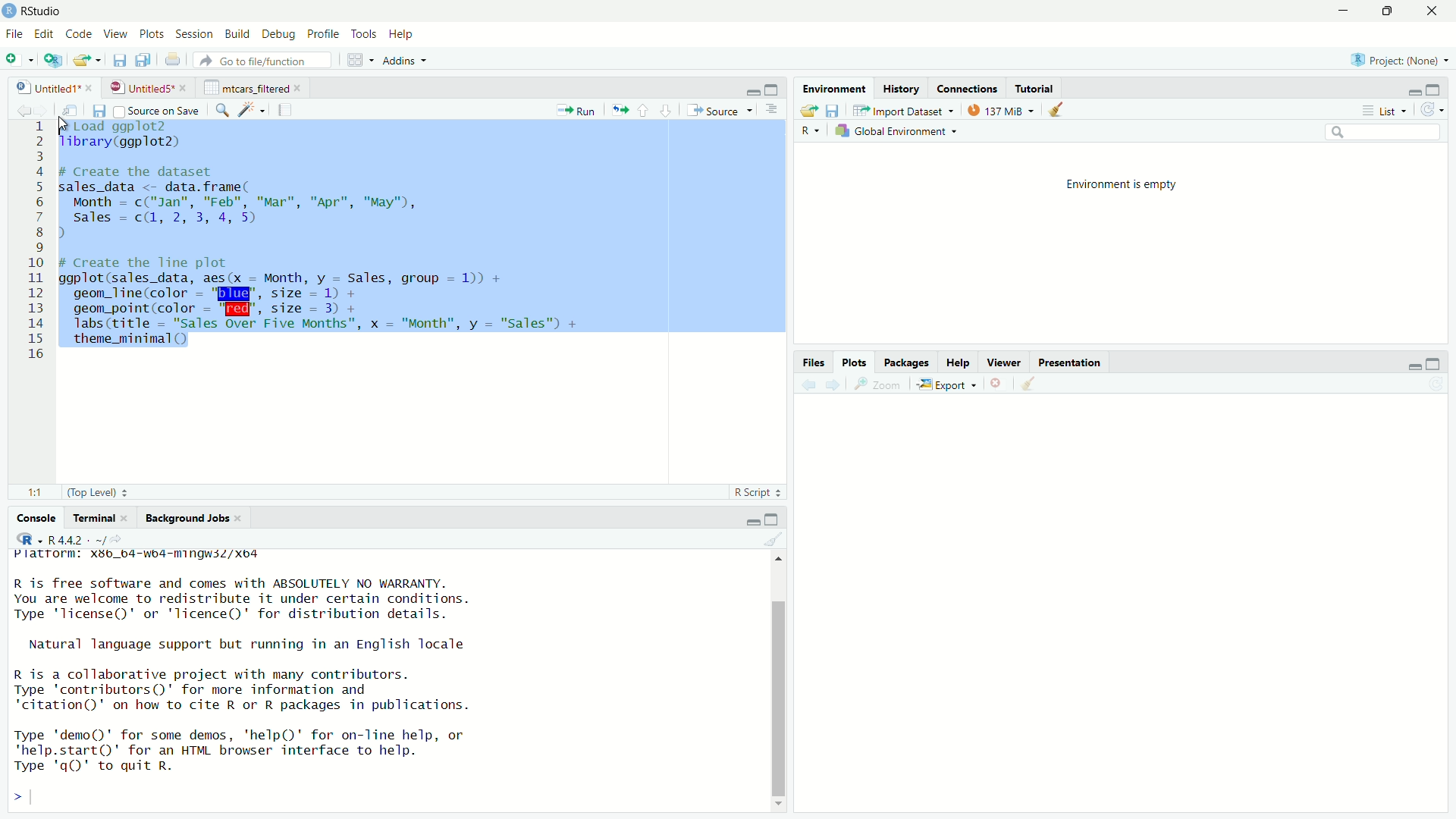  I want to click on list, so click(1389, 109).